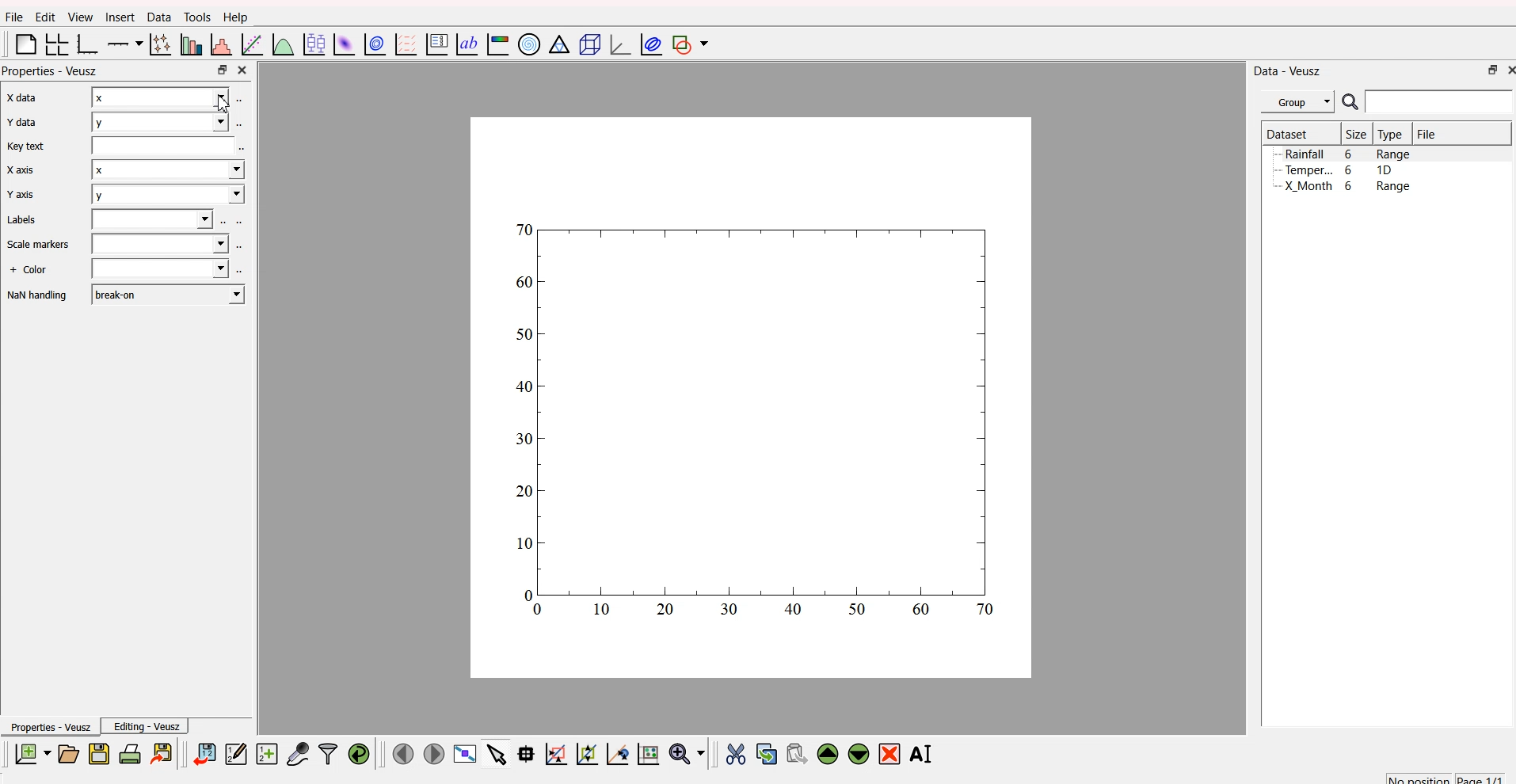 This screenshot has height=784, width=1516. I want to click on Y data, so click(21, 124).